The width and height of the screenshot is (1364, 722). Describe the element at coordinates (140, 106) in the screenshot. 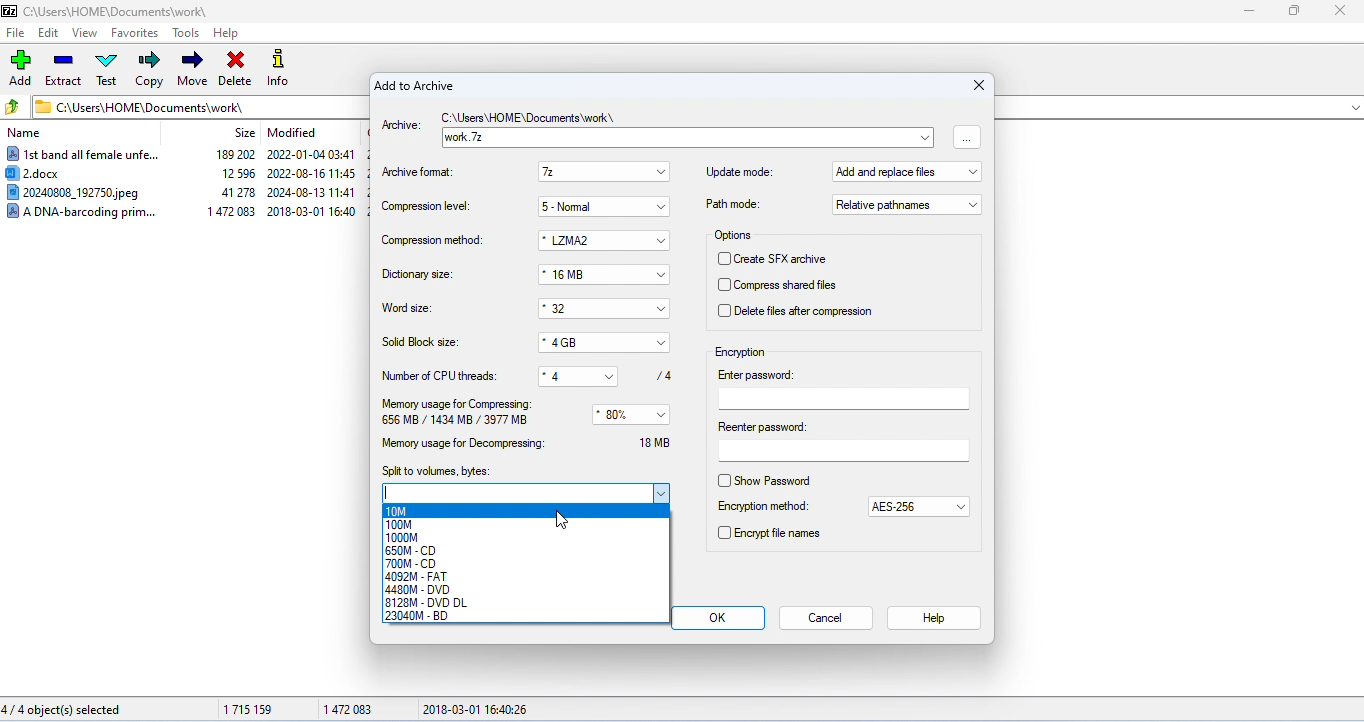

I see `CAUsers\HOME\Documents\work\` at that location.